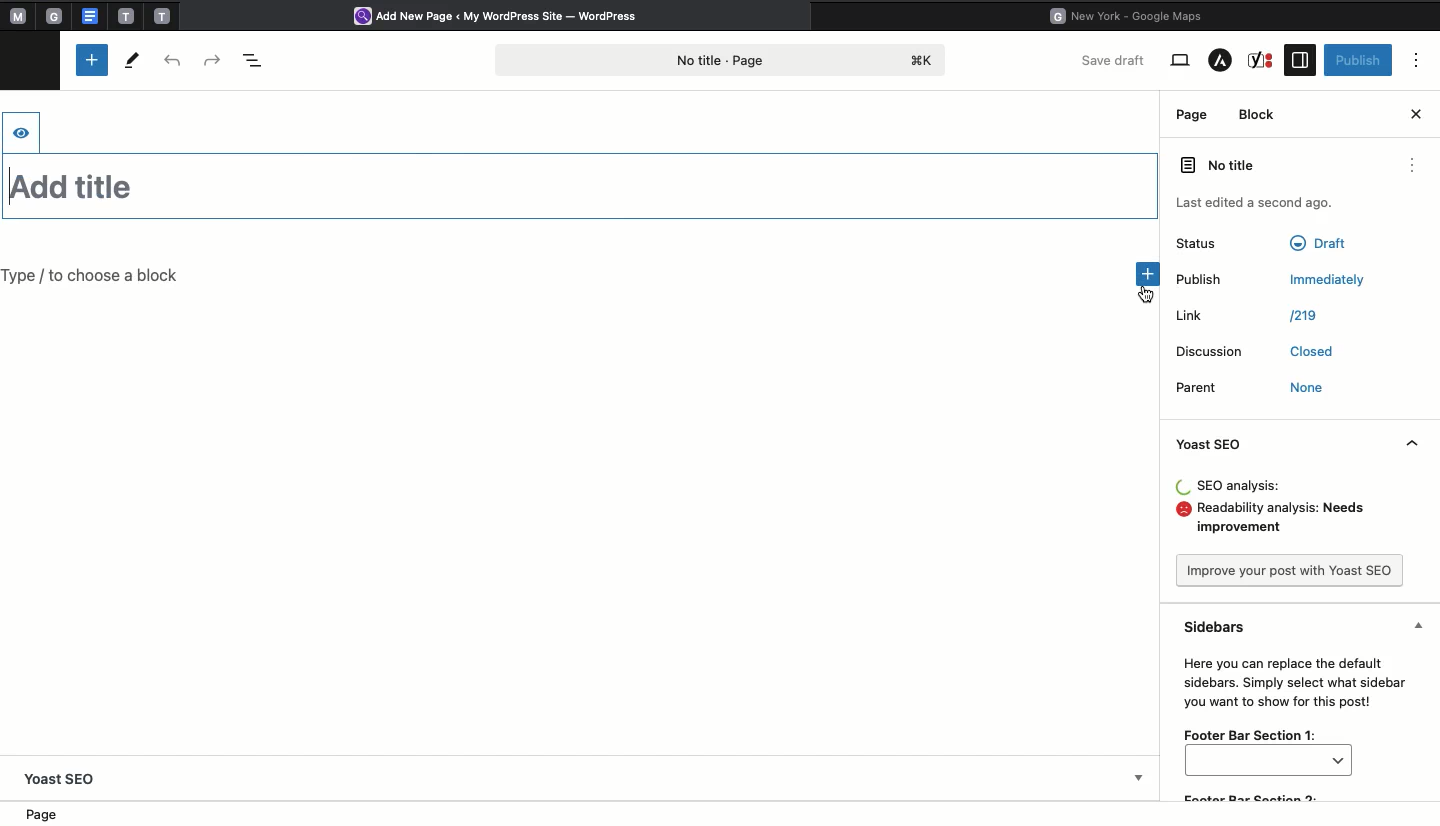 Image resolution: width=1440 pixels, height=826 pixels. I want to click on Wordpress, so click(504, 17).